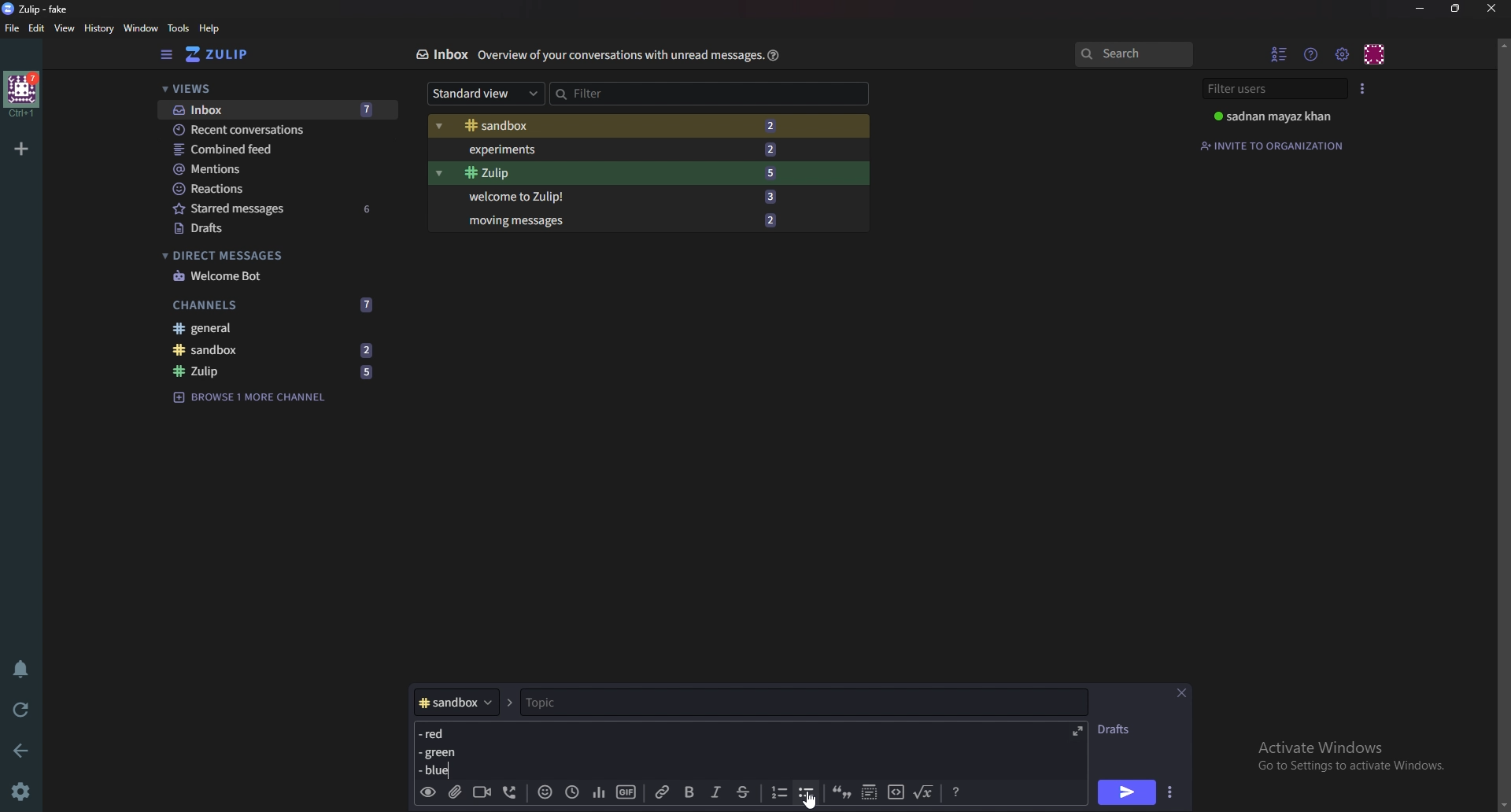 The height and width of the screenshot is (812, 1511). What do you see at coordinates (276, 169) in the screenshot?
I see `Mentions` at bounding box center [276, 169].